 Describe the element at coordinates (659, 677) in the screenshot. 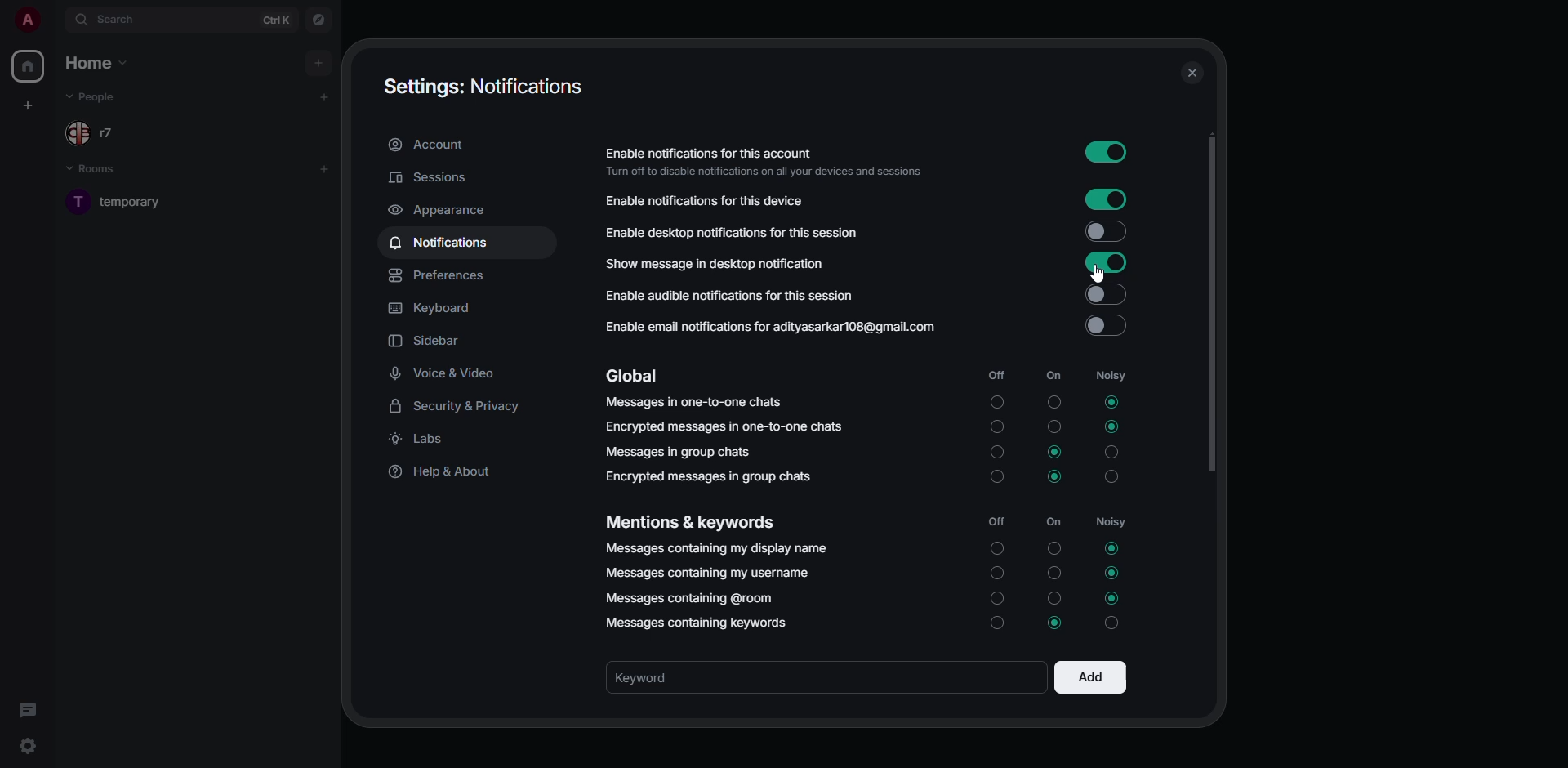

I see `keyword` at that location.